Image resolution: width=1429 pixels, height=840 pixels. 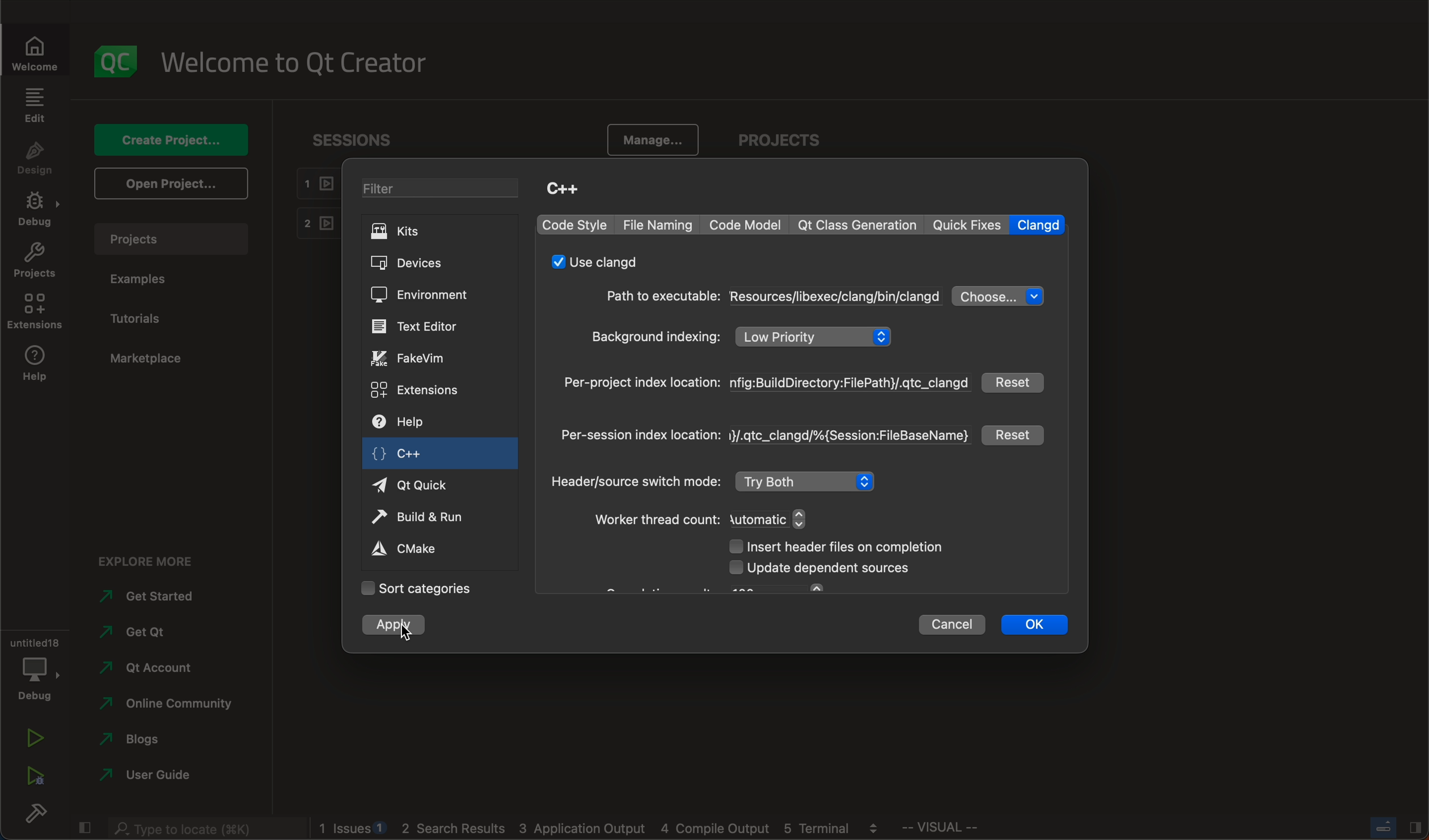 I want to click on build and run, so click(x=427, y=515).